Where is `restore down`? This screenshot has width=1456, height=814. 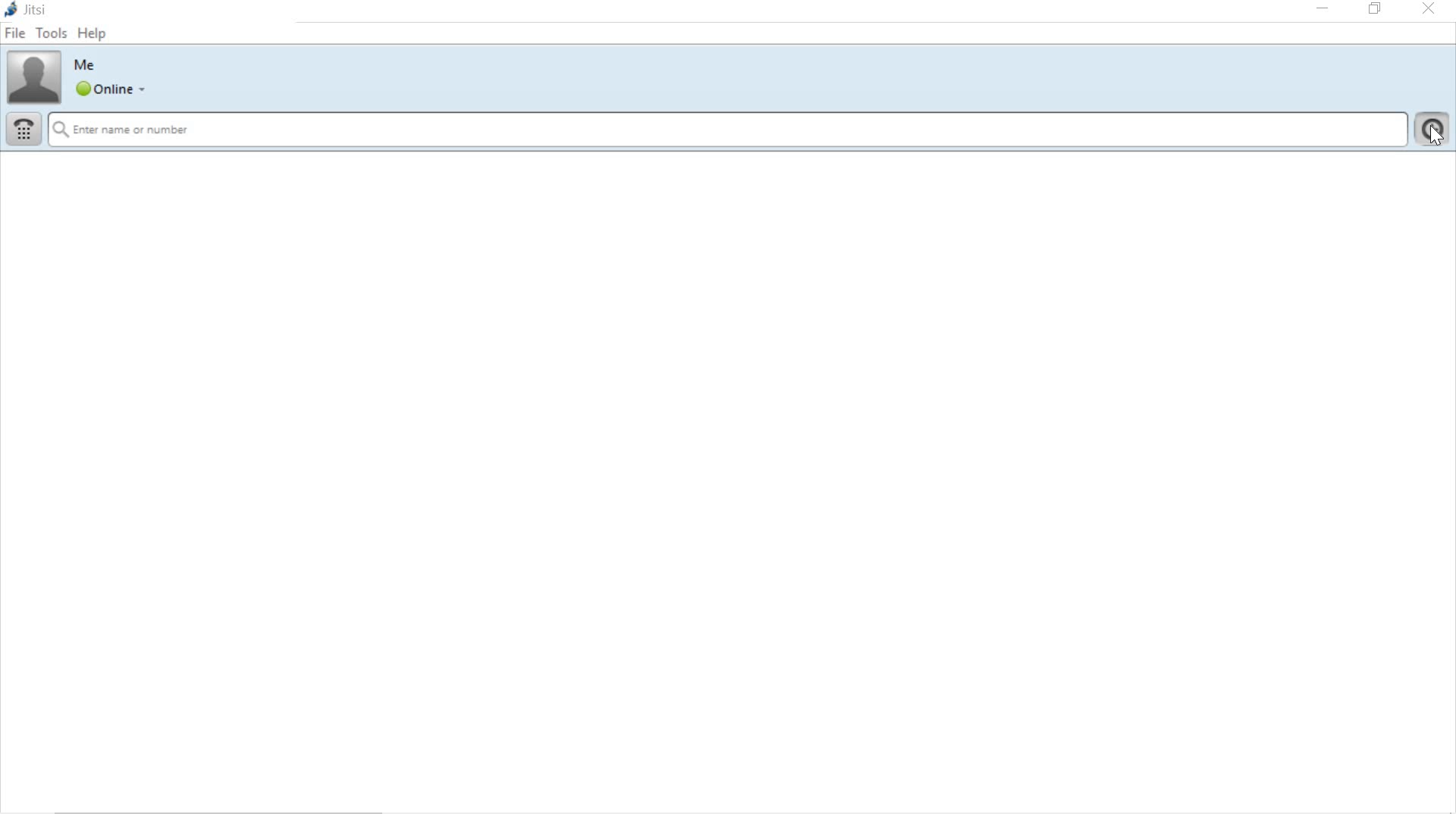 restore down is located at coordinates (1376, 9).